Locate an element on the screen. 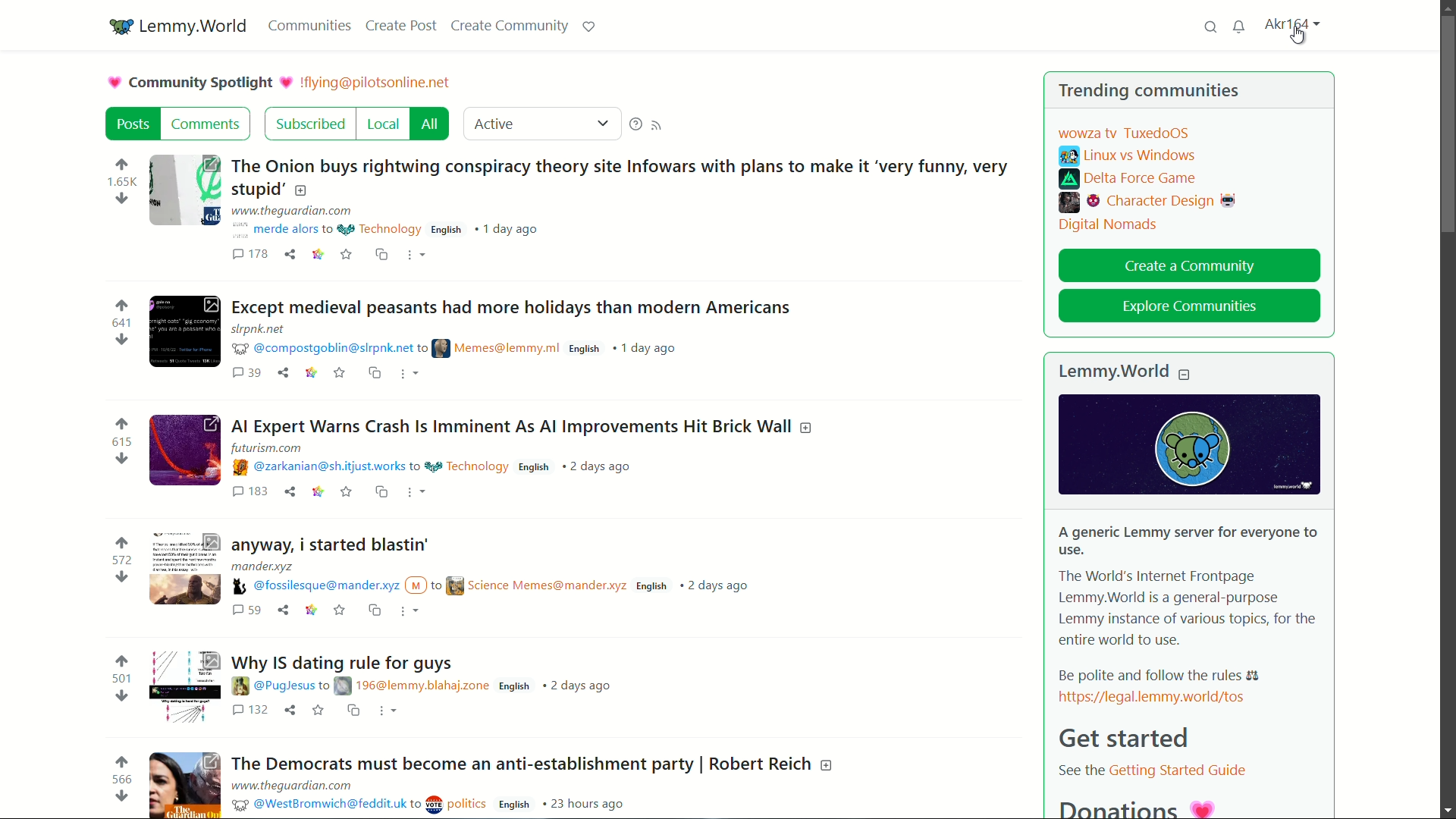 The height and width of the screenshot is (819, 1456). link is located at coordinates (309, 371).